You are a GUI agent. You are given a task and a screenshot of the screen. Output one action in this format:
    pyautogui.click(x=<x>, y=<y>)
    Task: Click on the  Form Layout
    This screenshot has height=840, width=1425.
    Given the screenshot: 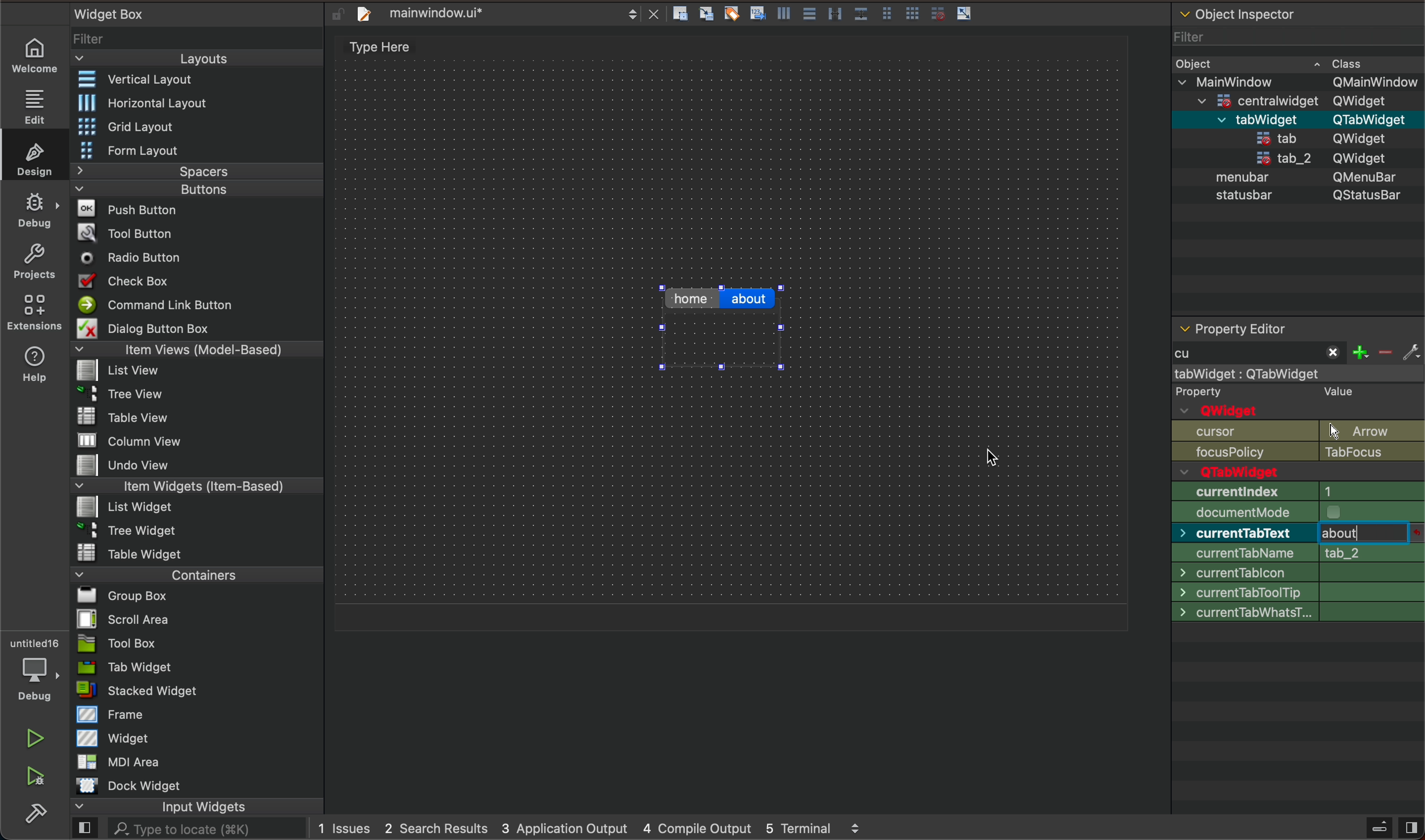 What is the action you would take?
    pyautogui.click(x=131, y=151)
    